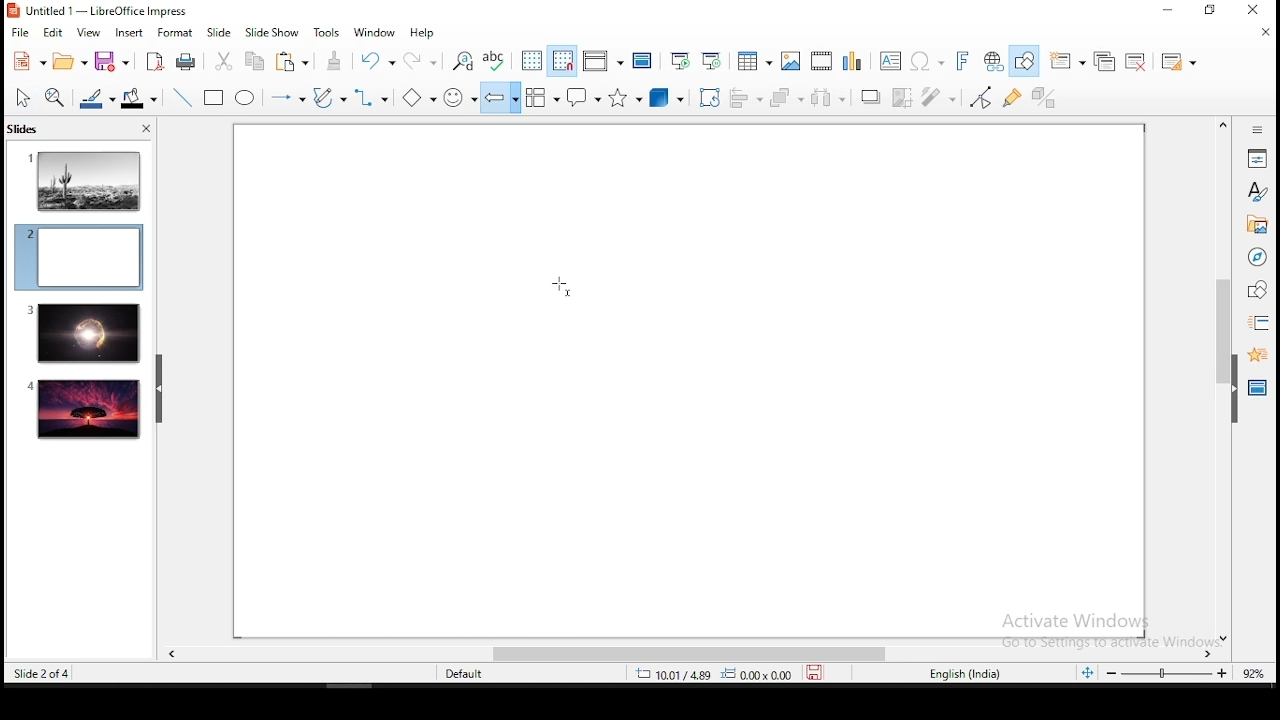 The height and width of the screenshot is (720, 1280). Describe the element at coordinates (673, 676) in the screenshot. I see `8.60/-0.26` at that location.